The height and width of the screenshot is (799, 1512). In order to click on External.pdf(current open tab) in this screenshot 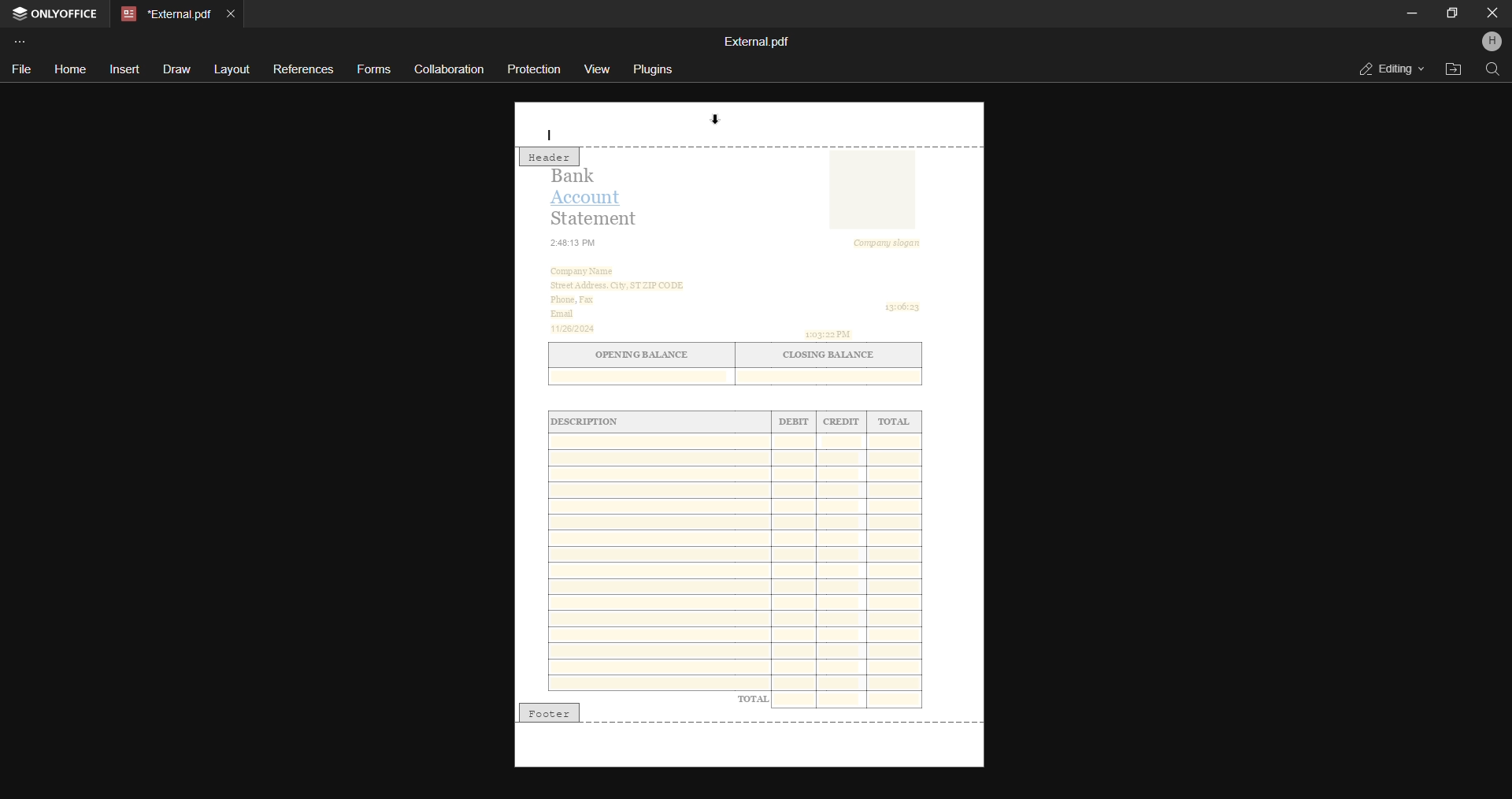, I will do `click(164, 14)`.